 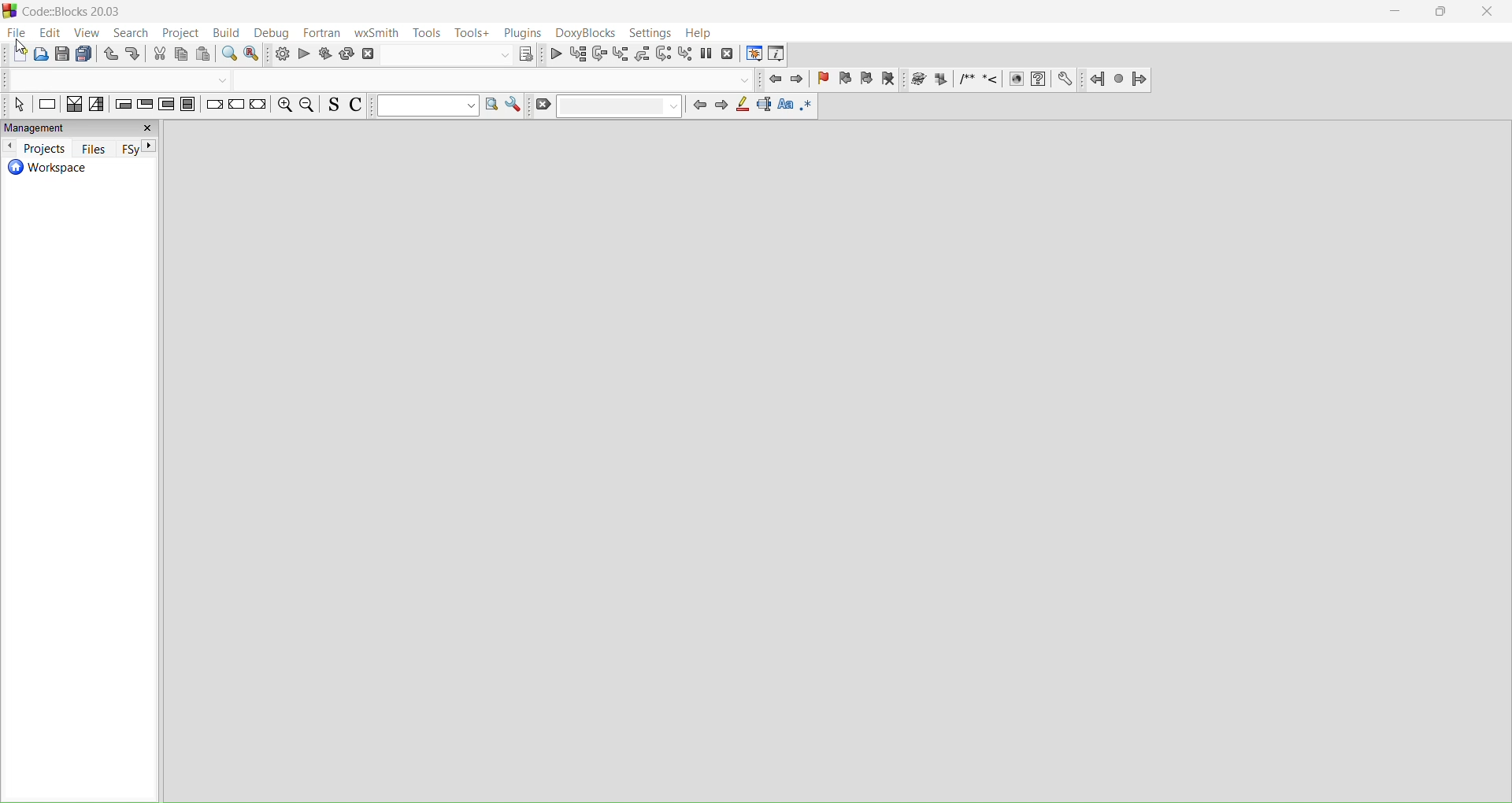 What do you see at coordinates (786, 106) in the screenshot?
I see `match case` at bounding box center [786, 106].